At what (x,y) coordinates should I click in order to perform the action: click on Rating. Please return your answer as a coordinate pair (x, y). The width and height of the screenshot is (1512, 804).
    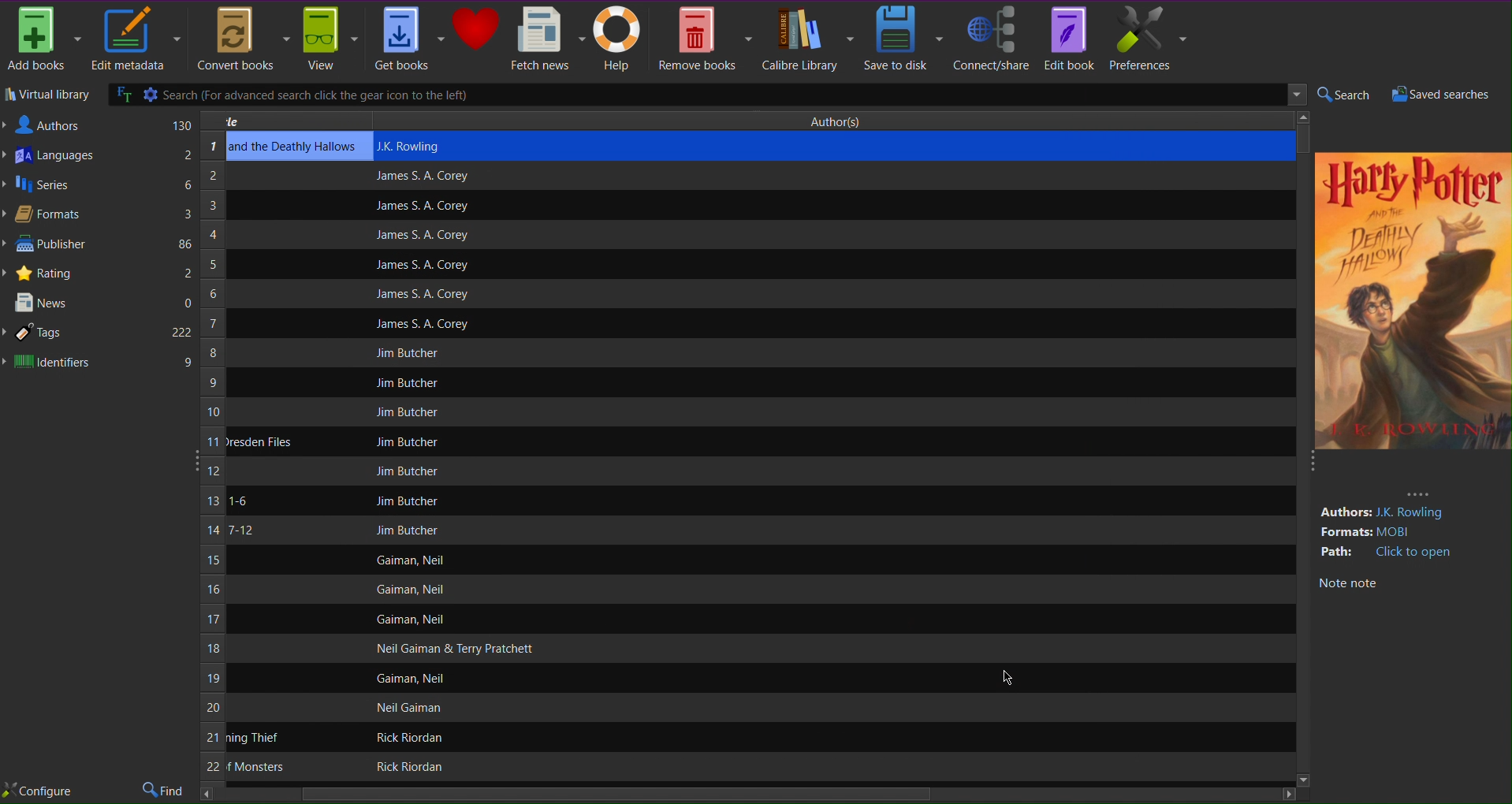
    Looking at the image, I should click on (100, 272).